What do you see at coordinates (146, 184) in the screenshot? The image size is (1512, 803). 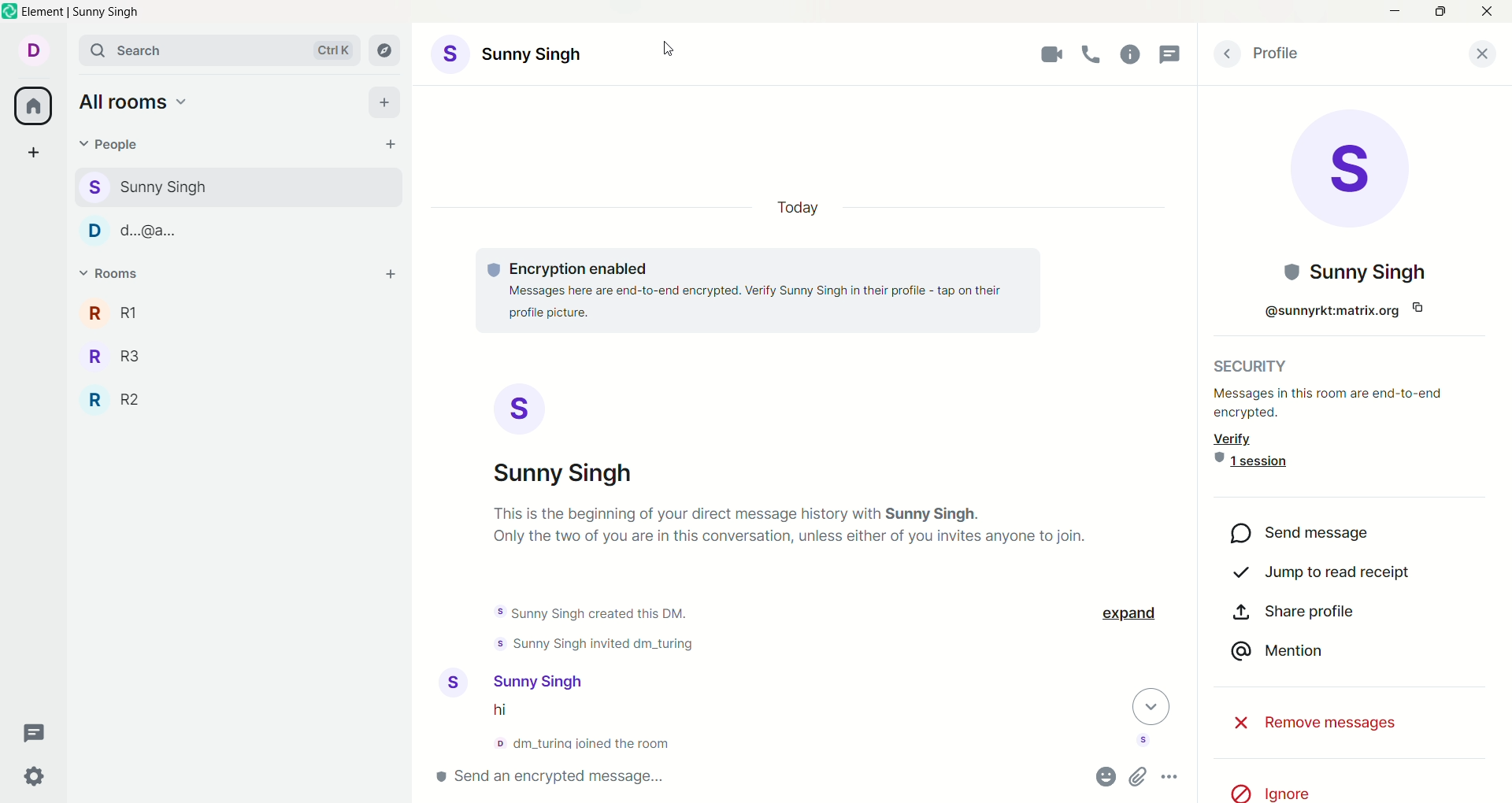 I see `people` at bounding box center [146, 184].